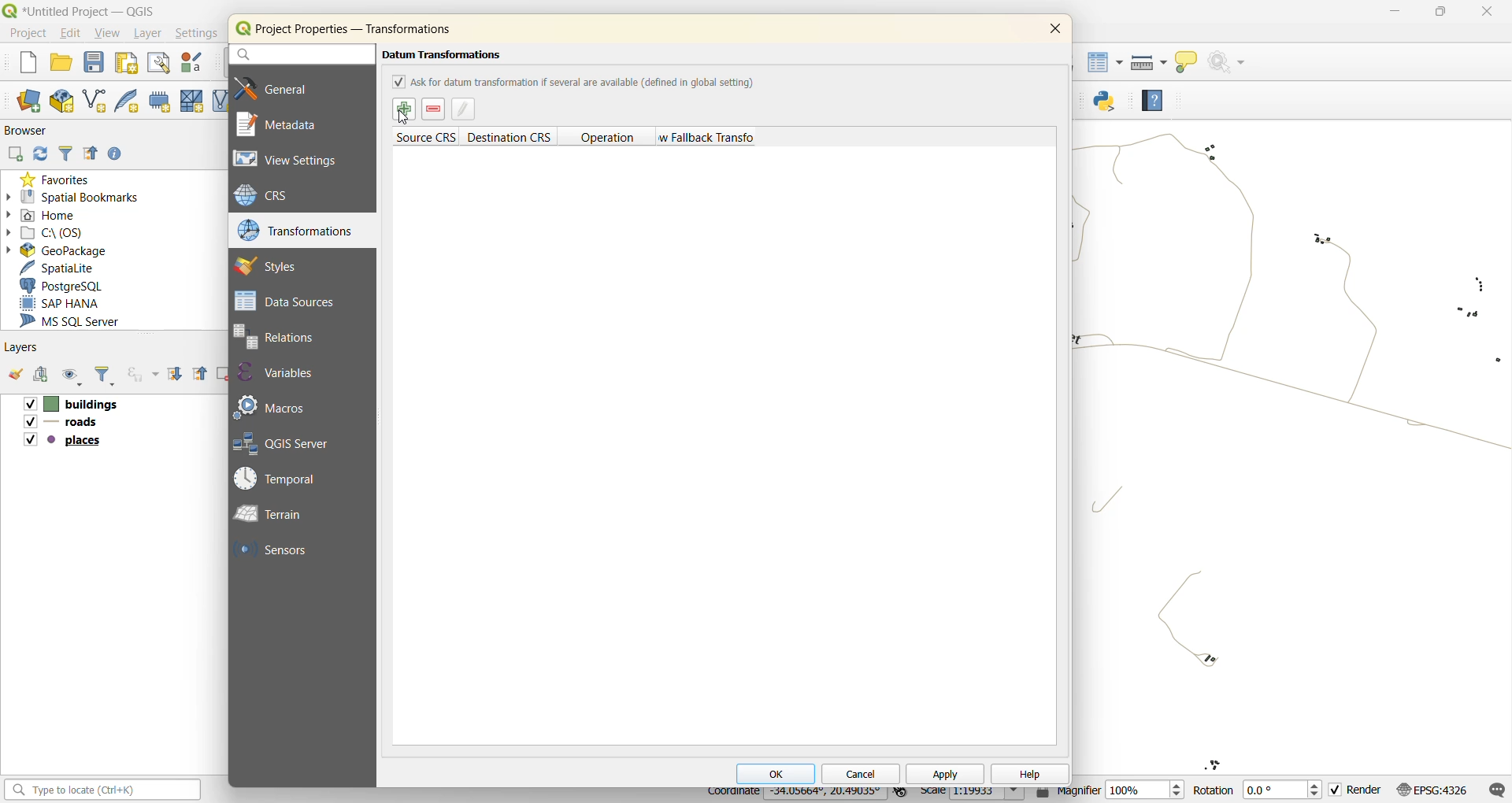 The image size is (1512, 803). I want to click on enable properties, so click(117, 154).